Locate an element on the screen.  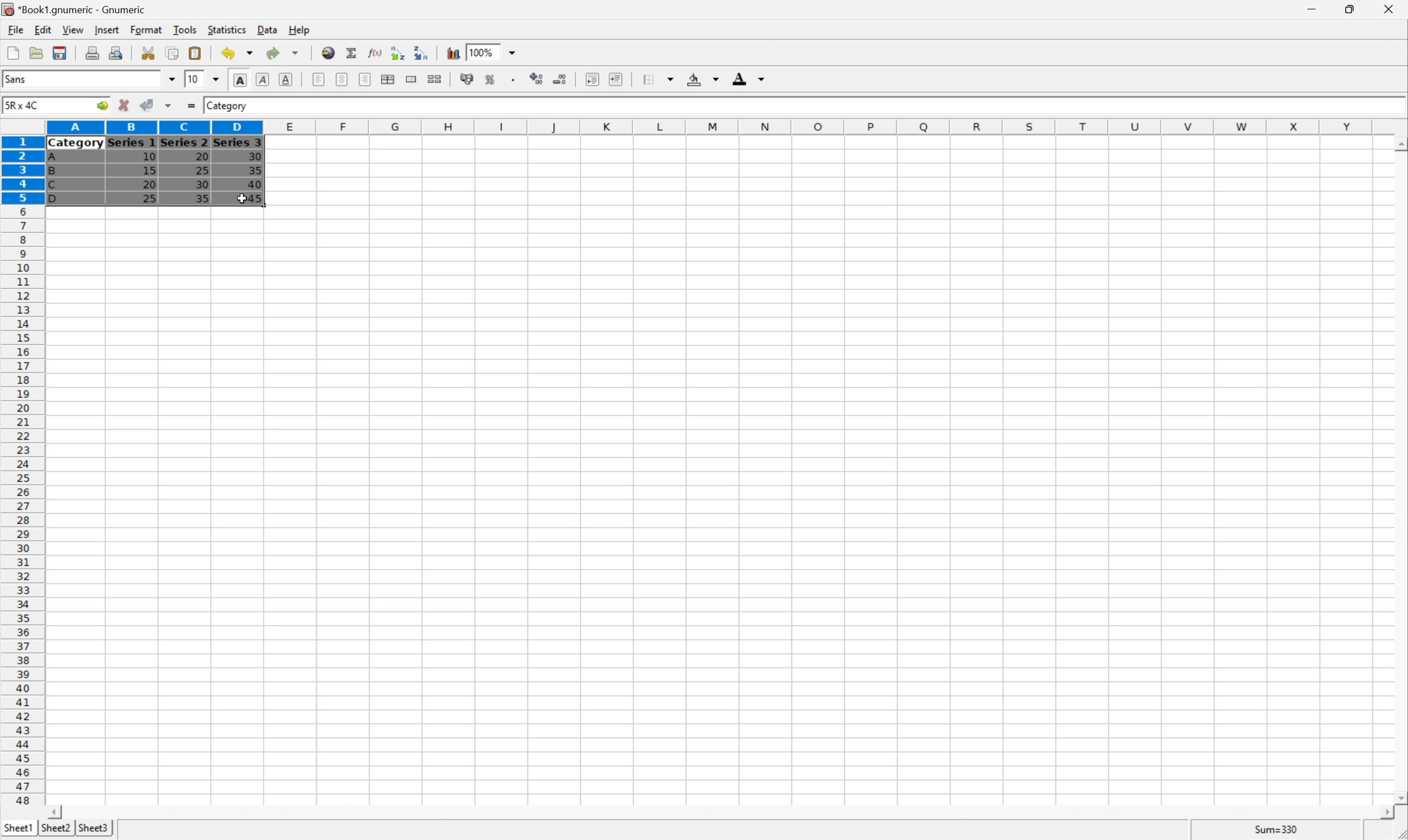
Format selection as percentage is located at coordinates (490, 80).